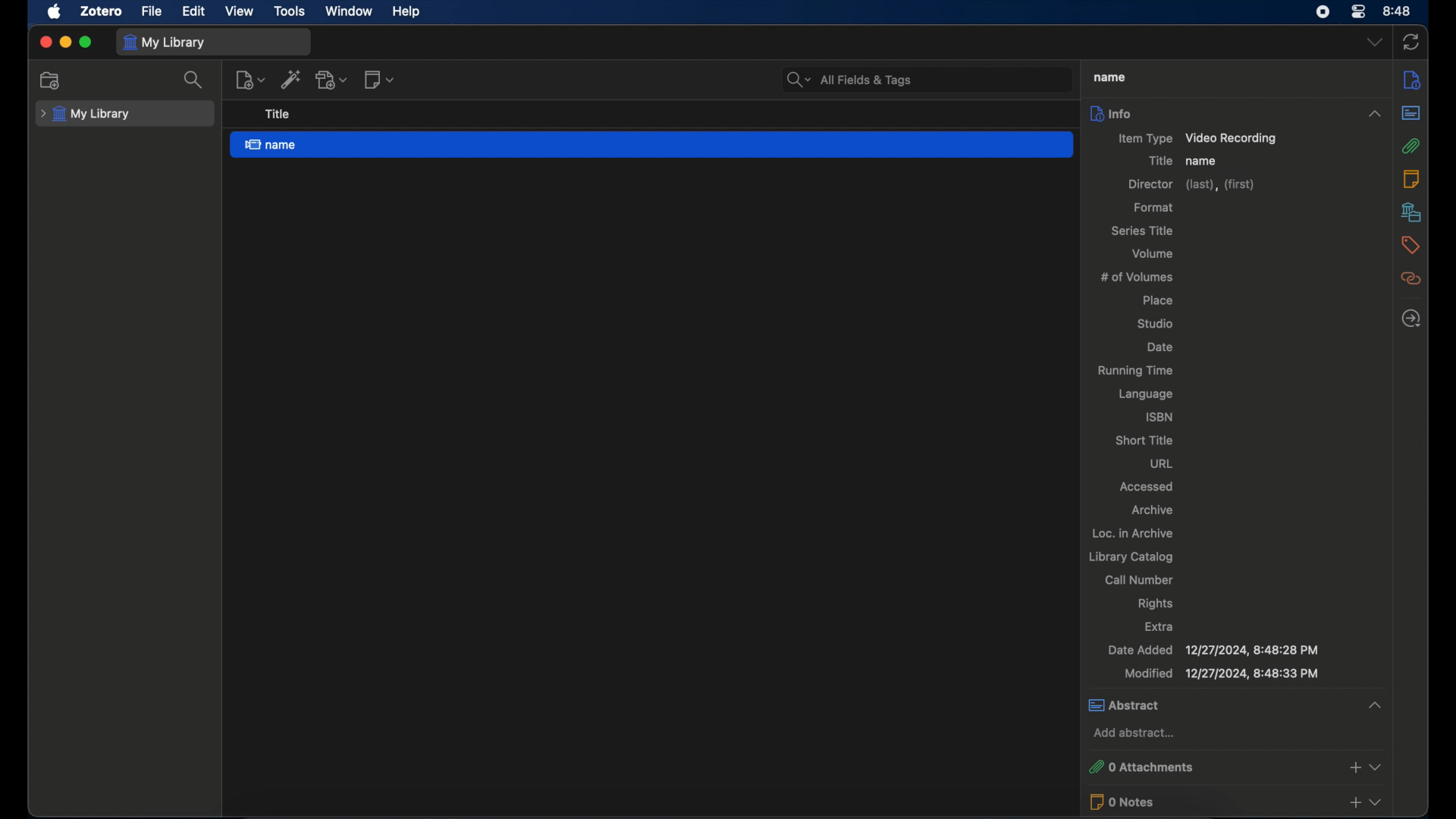  Describe the element at coordinates (1354, 804) in the screenshot. I see `add notes` at that location.